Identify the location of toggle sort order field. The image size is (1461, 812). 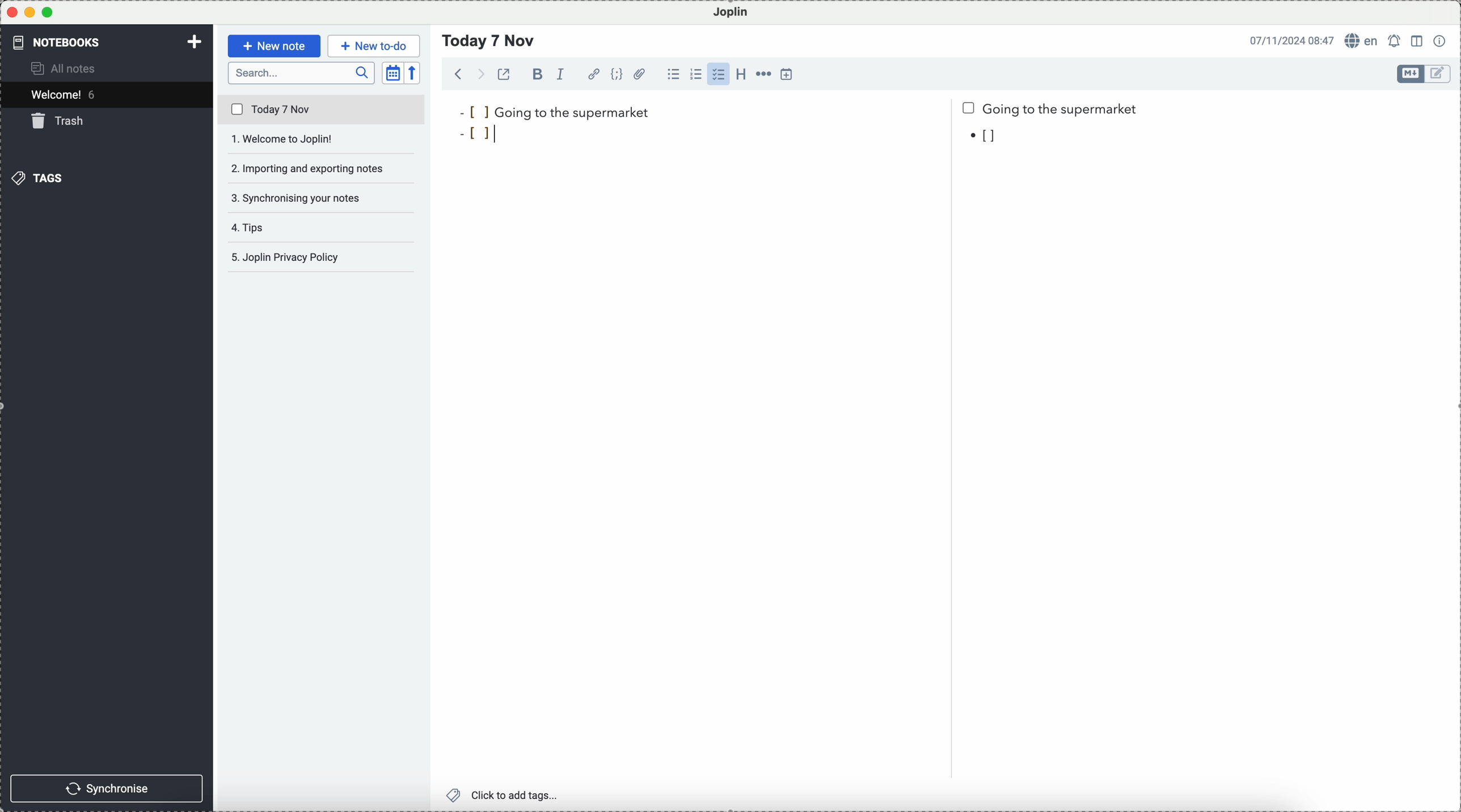
(393, 73).